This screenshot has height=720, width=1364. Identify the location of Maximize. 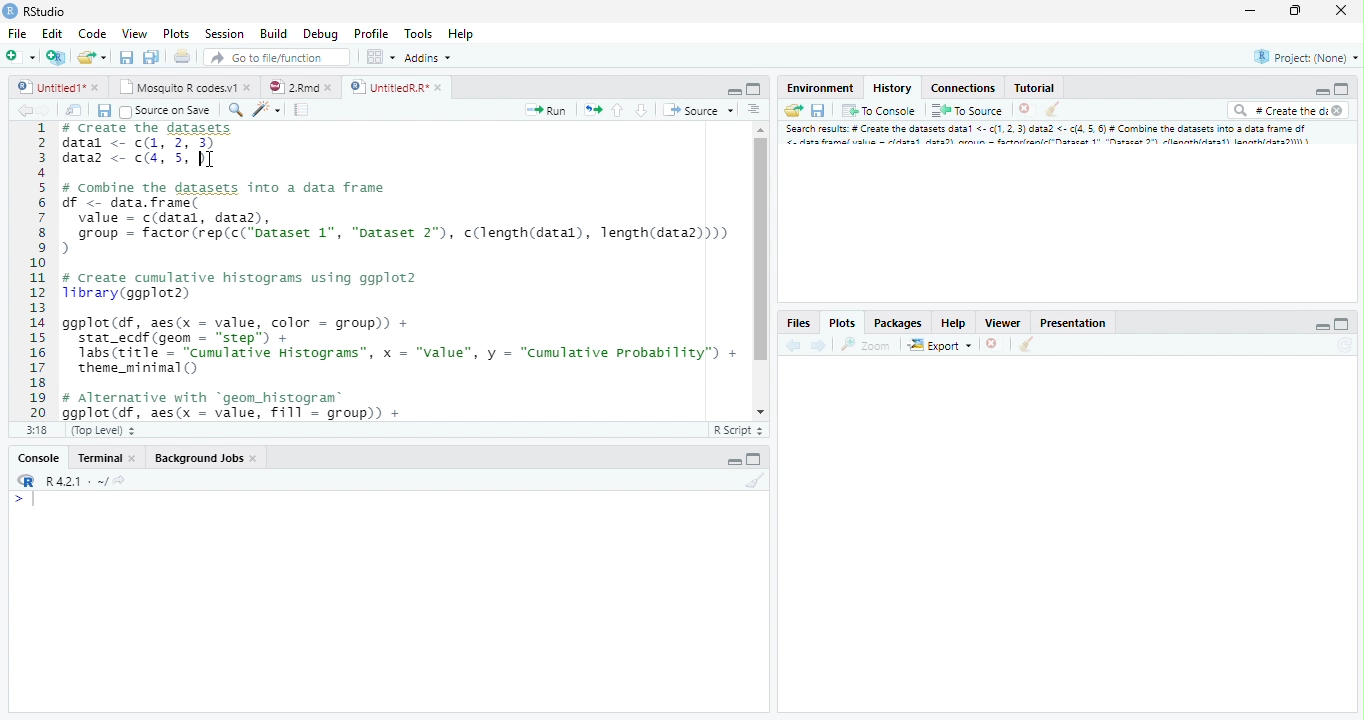
(1294, 11).